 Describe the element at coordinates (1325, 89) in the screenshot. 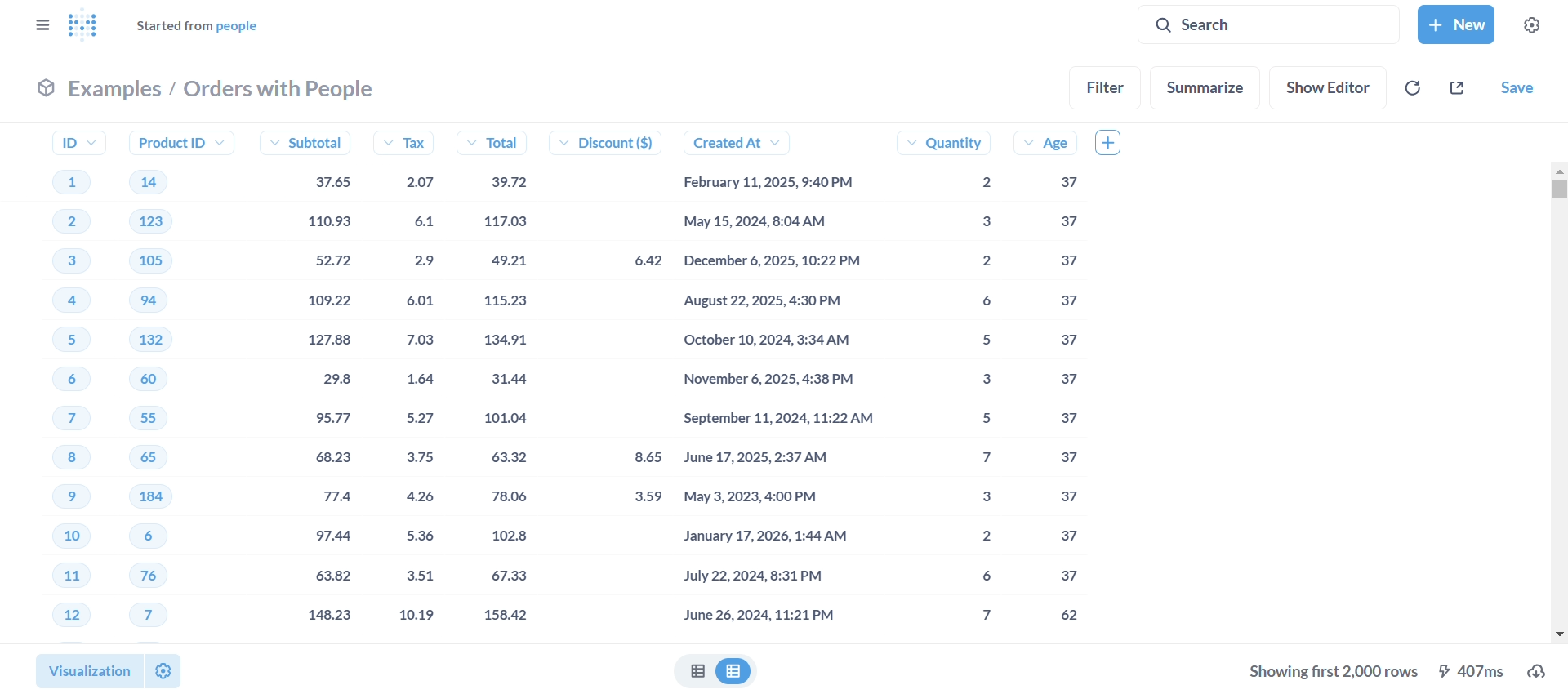

I see `show editor` at that location.